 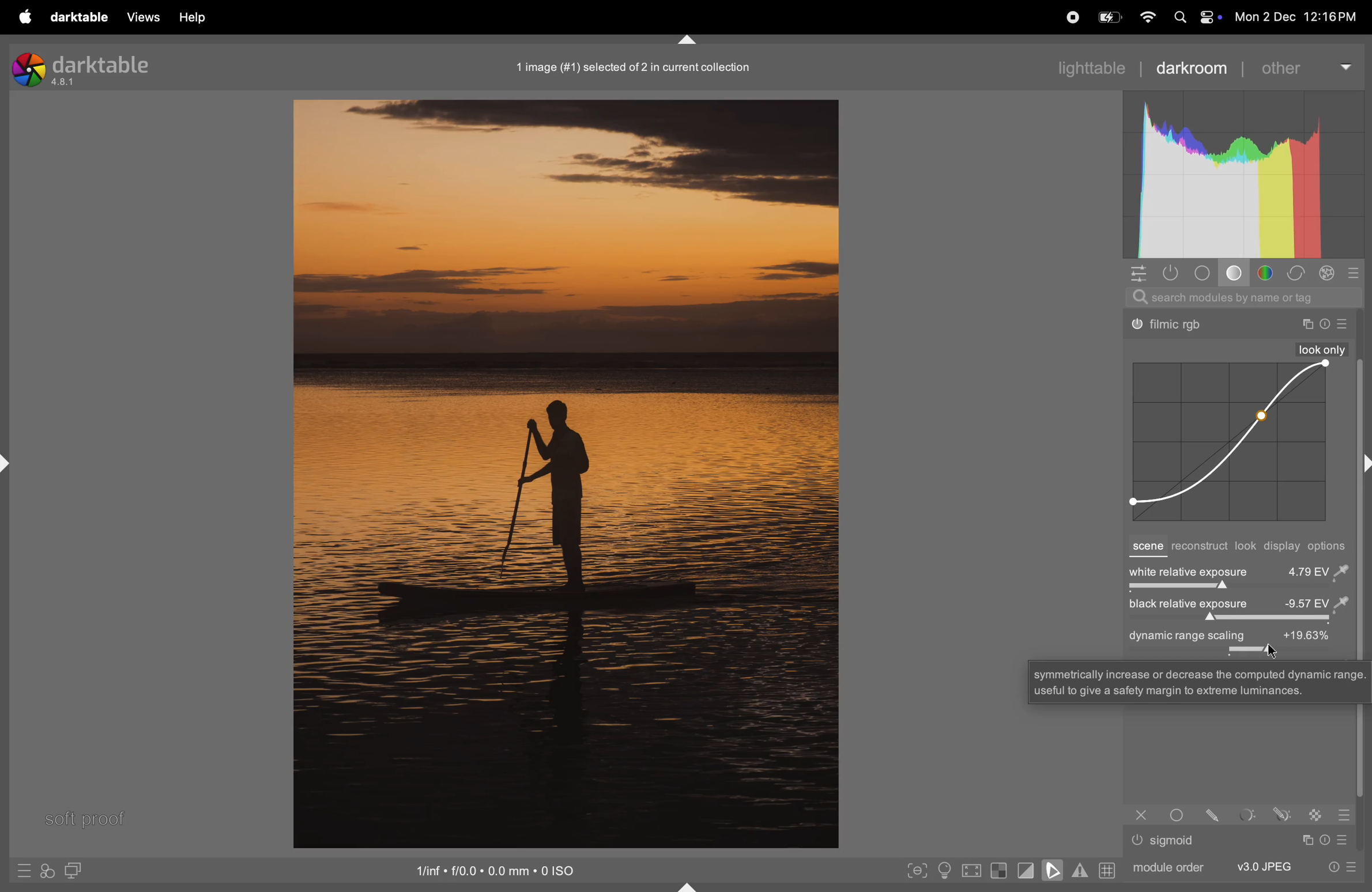 I want to click on batttery, so click(x=1109, y=18).